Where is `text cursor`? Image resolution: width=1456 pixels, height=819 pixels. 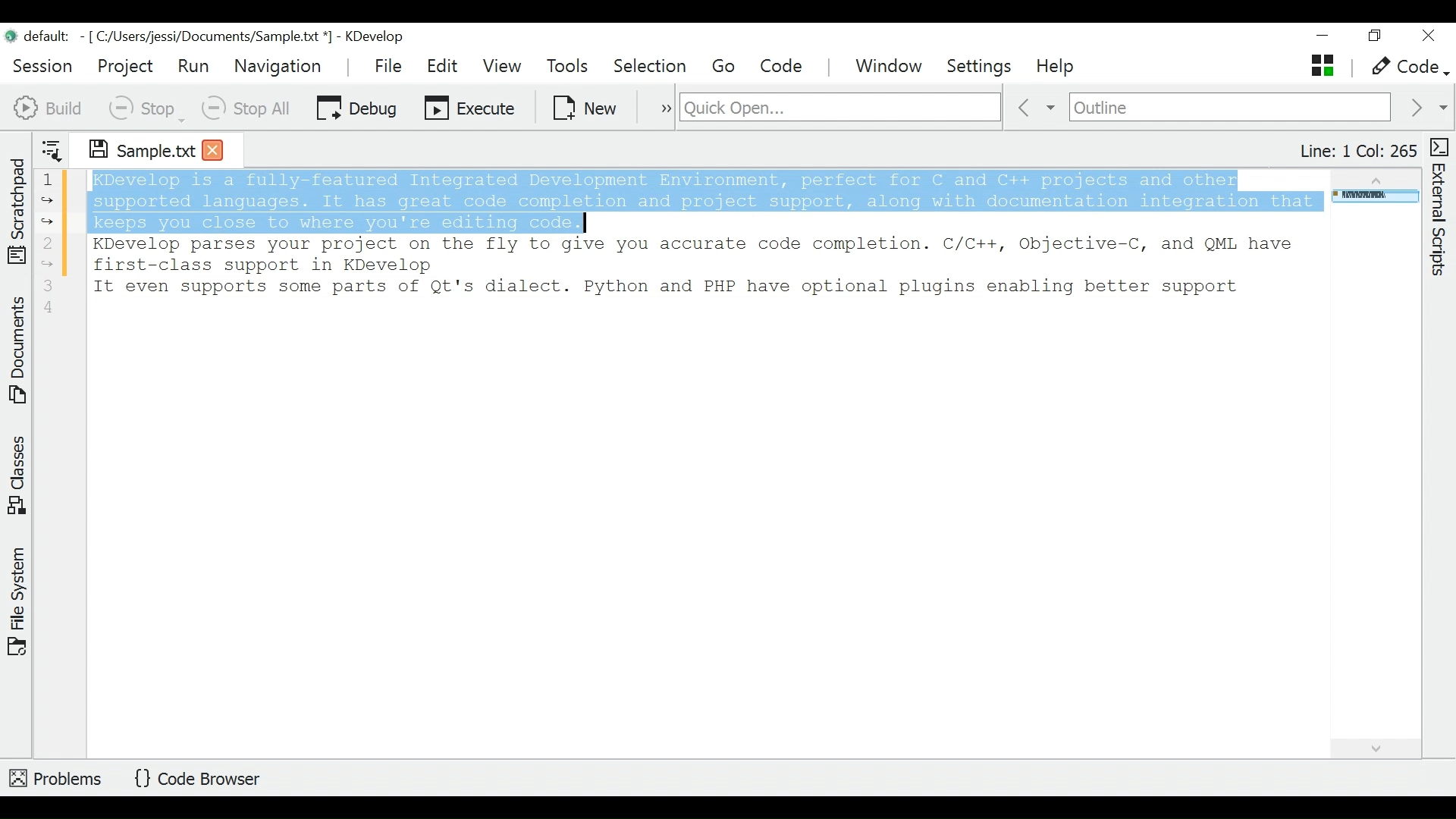 text cursor is located at coordinates (581, 224).